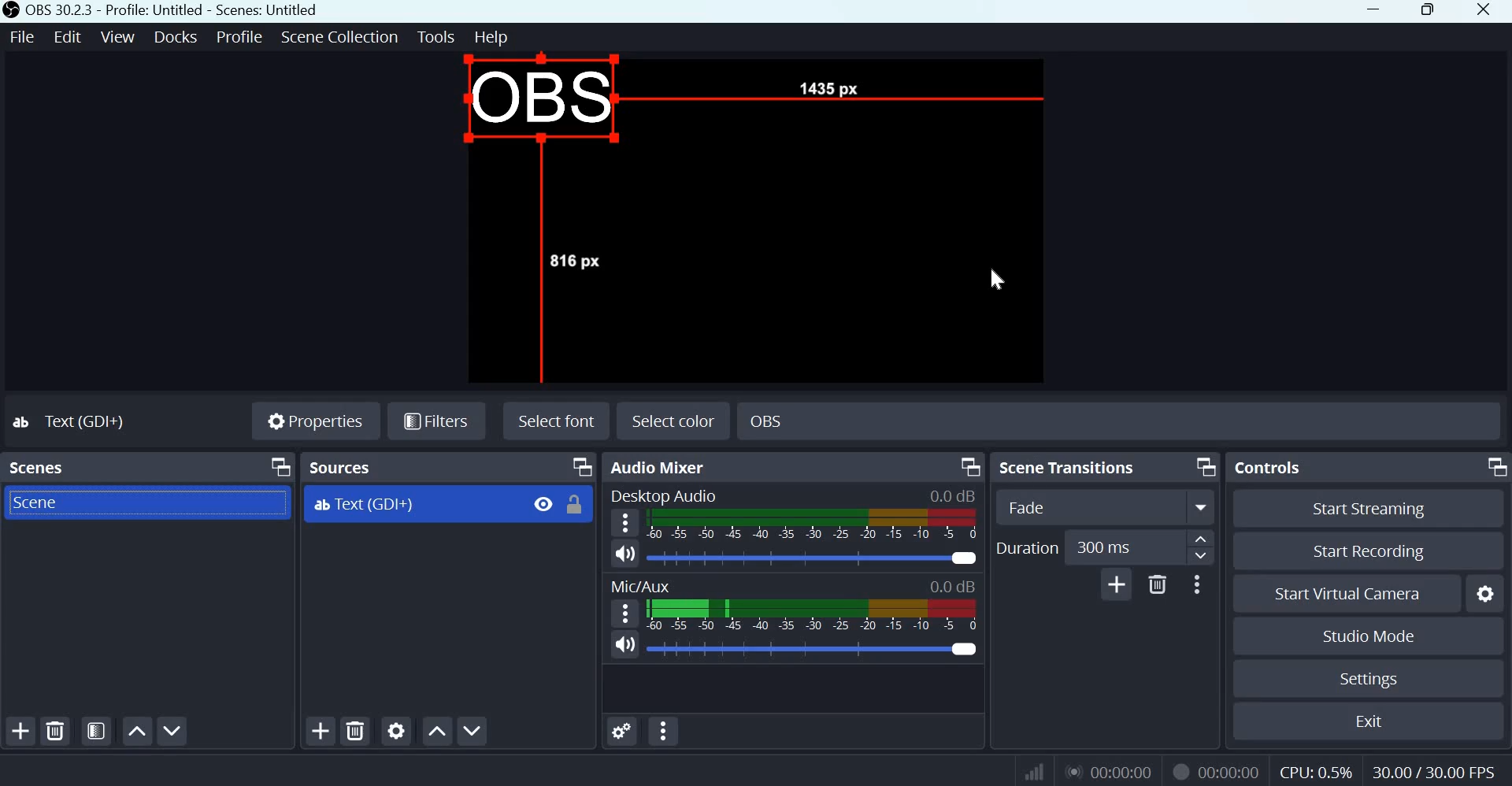 This screenshot has width=1512, height=786. What do you see at coordinates (624, 523) in the screenshot?
I see `hamburger menu` at bounding box center [624, 523].